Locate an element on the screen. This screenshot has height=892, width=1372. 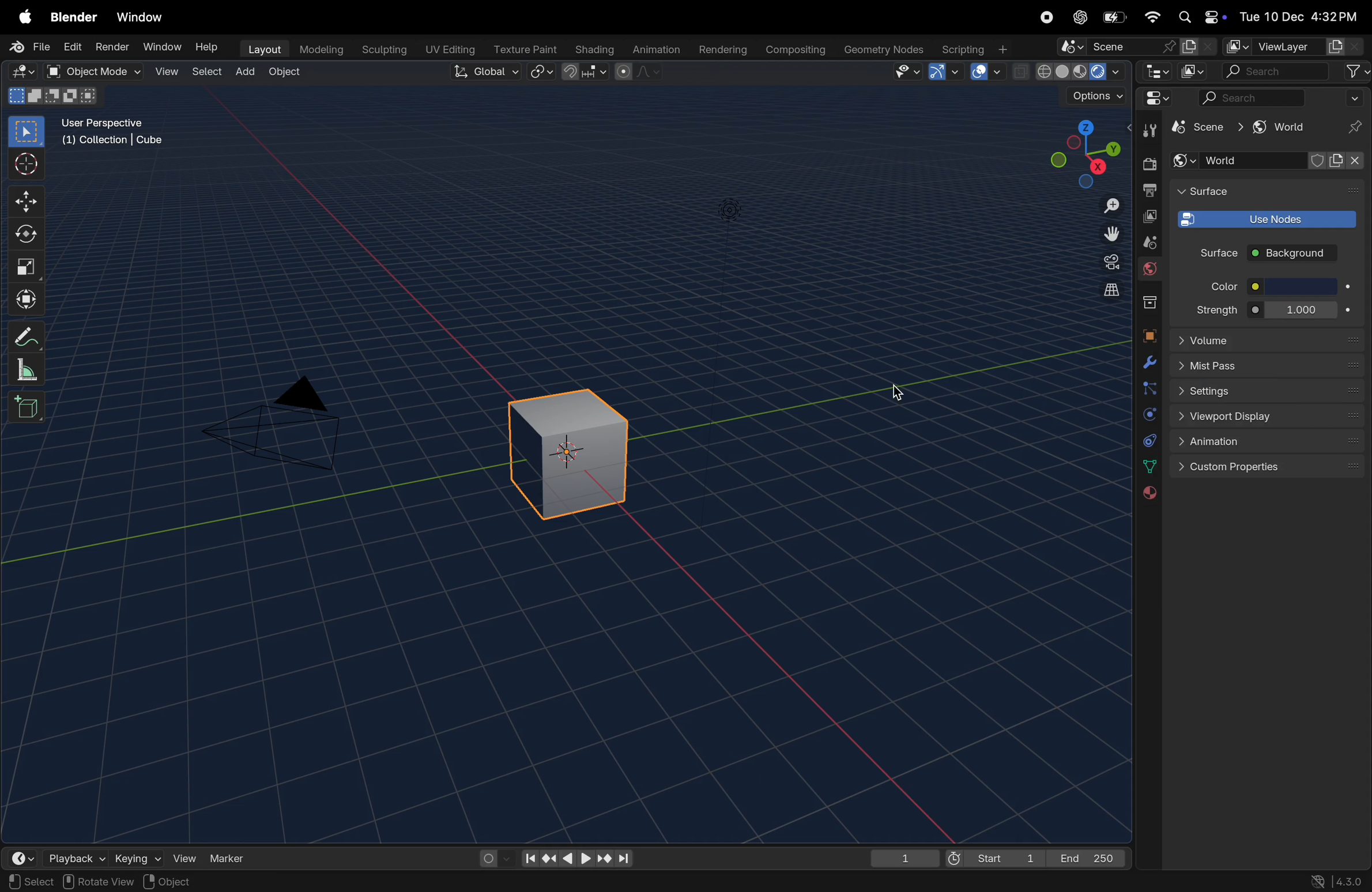
mist pass is located at coordinates (1269, 366).